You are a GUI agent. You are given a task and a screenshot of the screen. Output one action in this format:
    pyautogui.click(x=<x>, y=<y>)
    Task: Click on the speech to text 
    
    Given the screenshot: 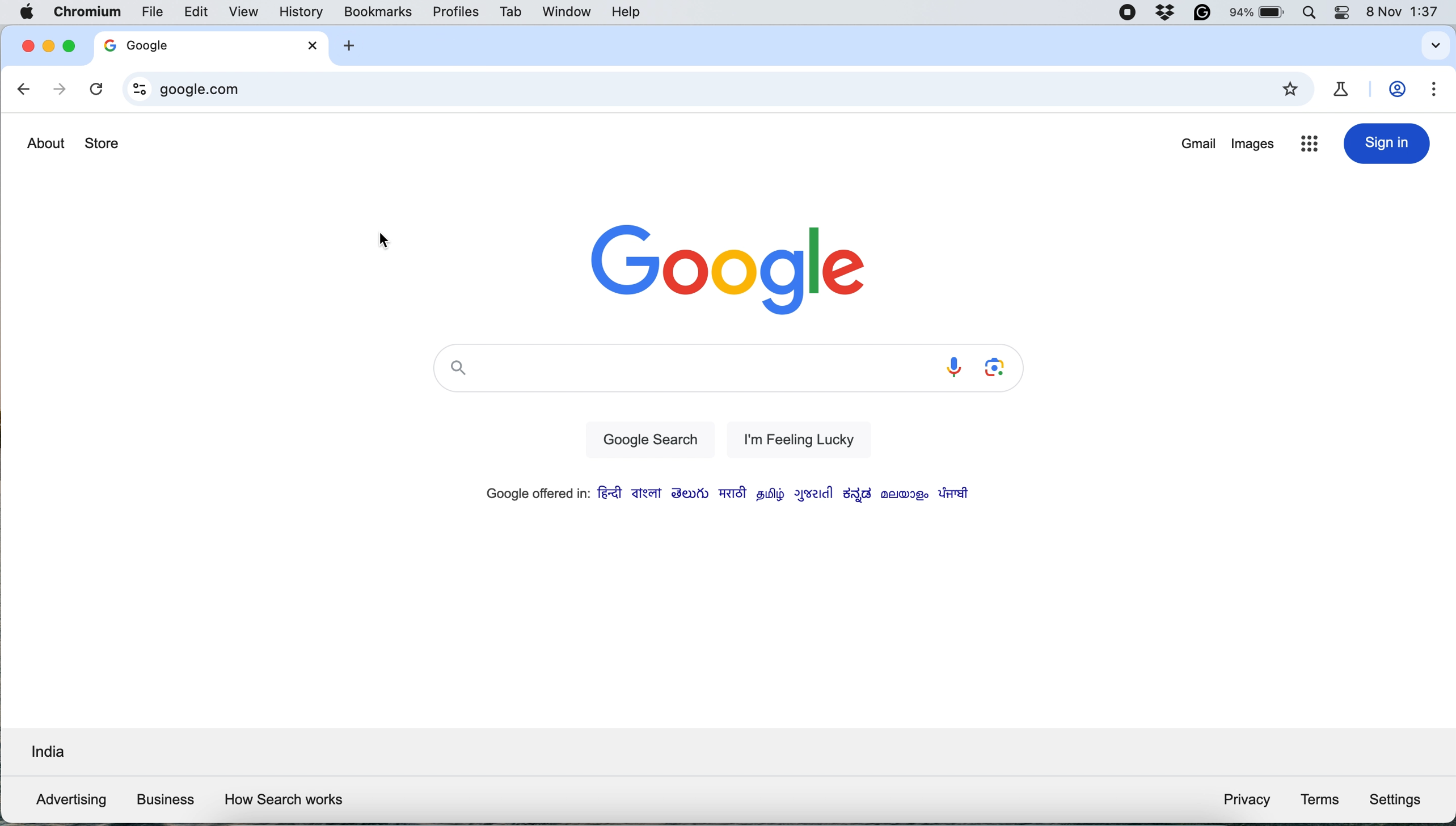 What is the action you would take?
    pyautogui.click(x=952, y=367)
    